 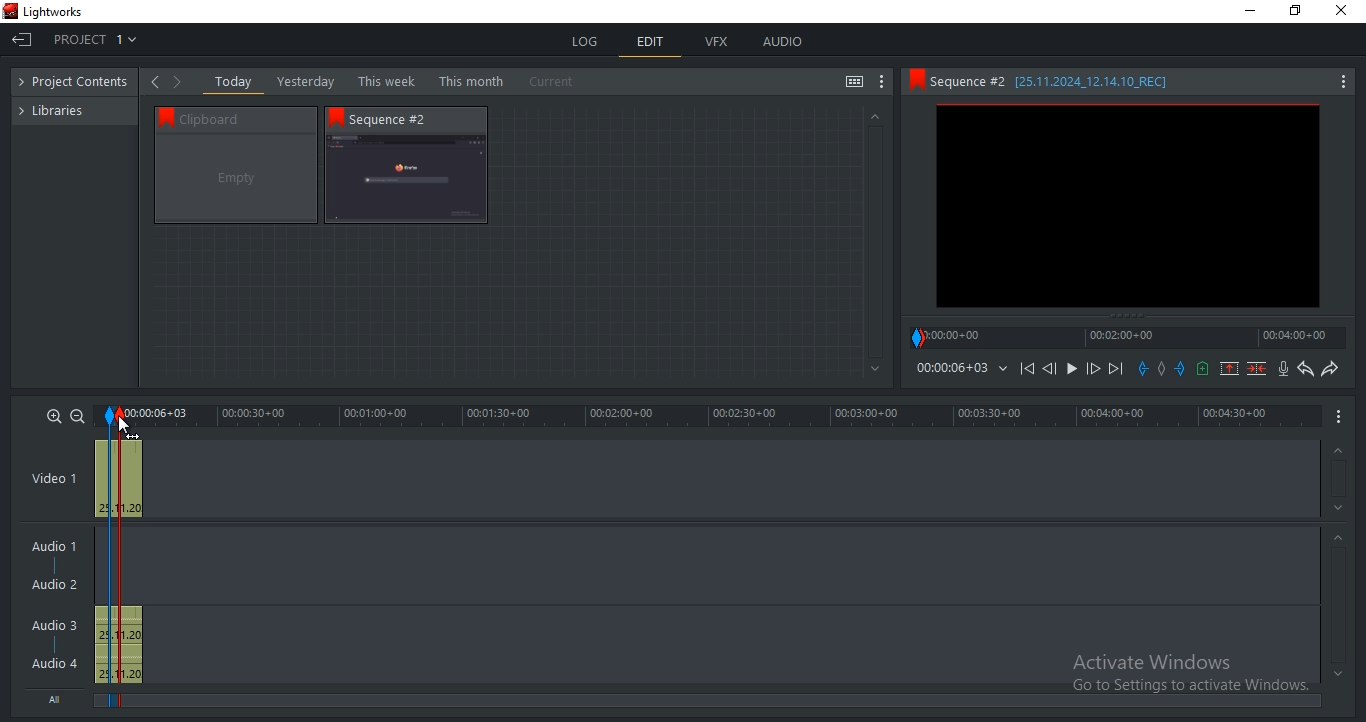 I want to click on show settings menu, so click(x=882, y=82).